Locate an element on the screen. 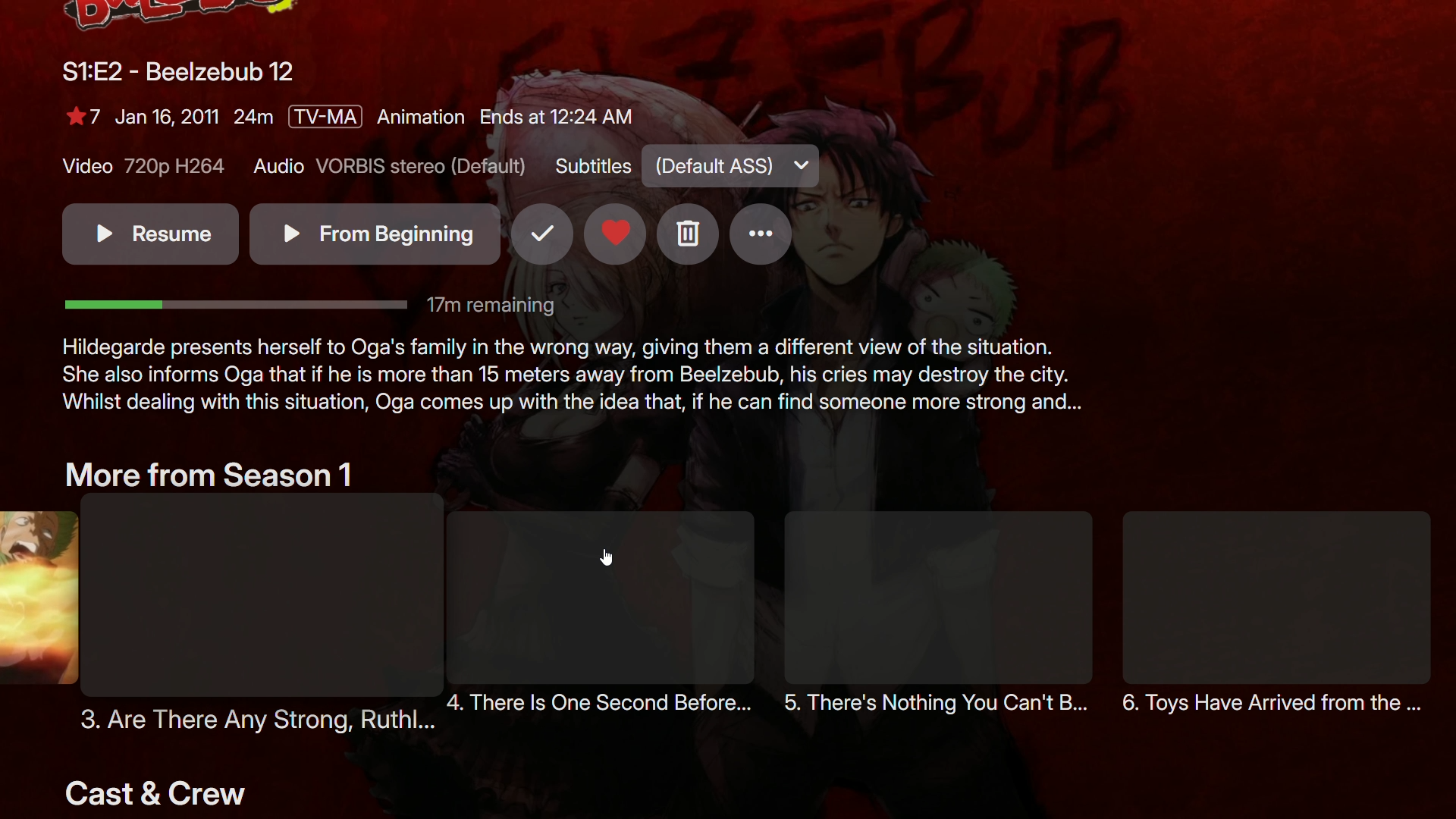 The height and width of the screenshot is (819, 1456). Delete is located at coordinates (690, 236).